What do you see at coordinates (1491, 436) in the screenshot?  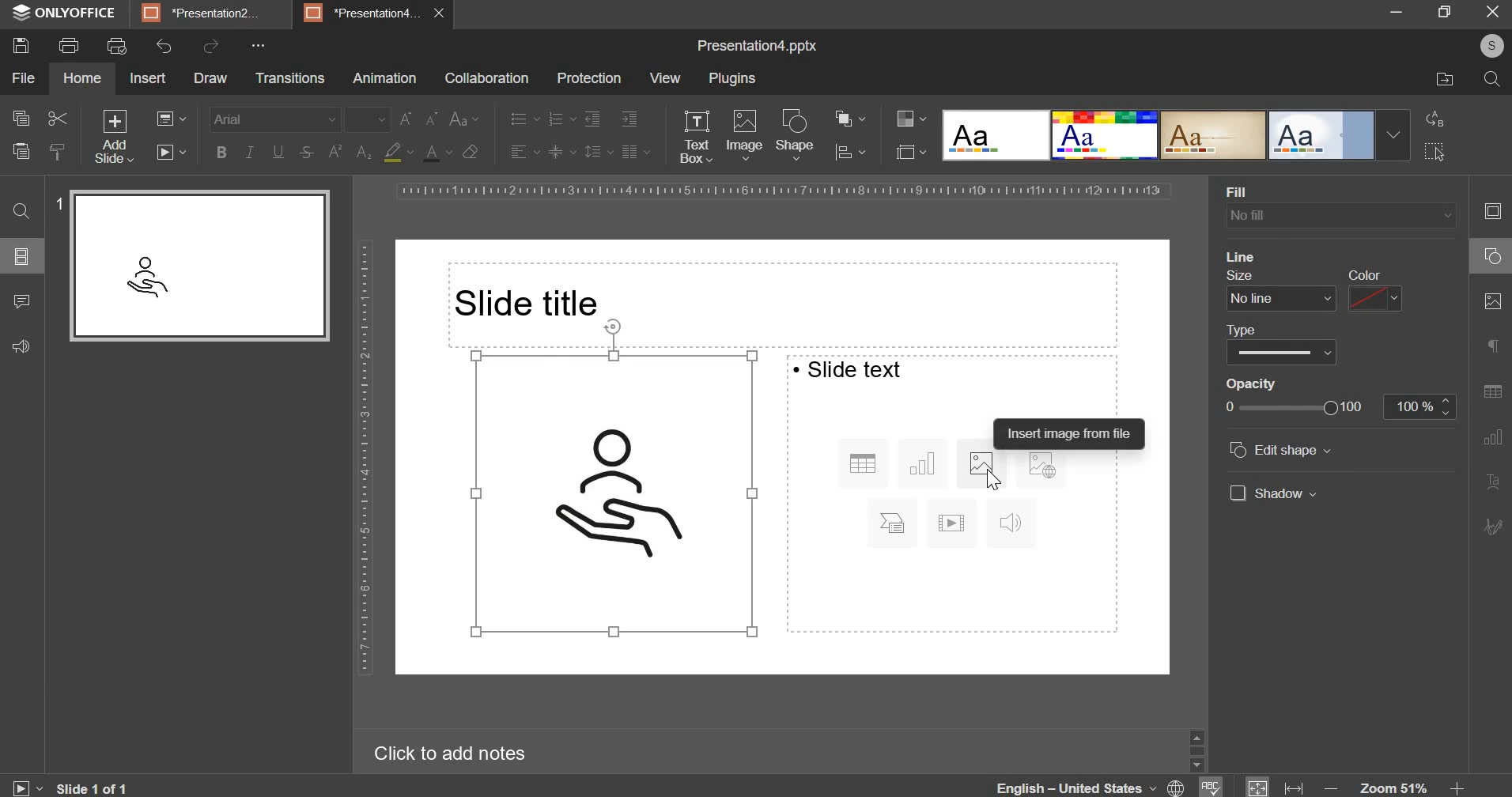 I see `graph setting` at bounding box center [1491, 436].